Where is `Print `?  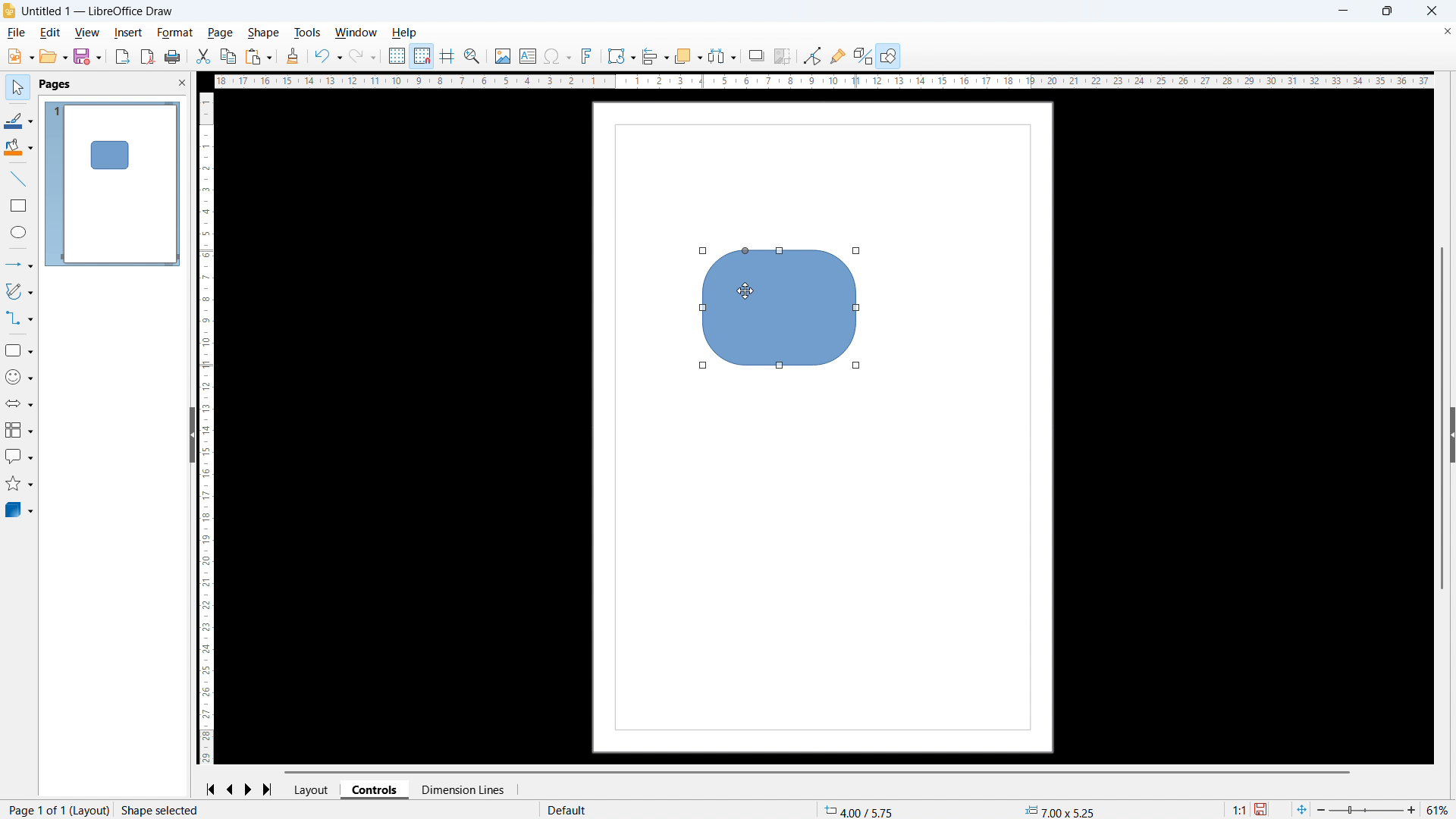 Print  is located at coordinates (173, 57).